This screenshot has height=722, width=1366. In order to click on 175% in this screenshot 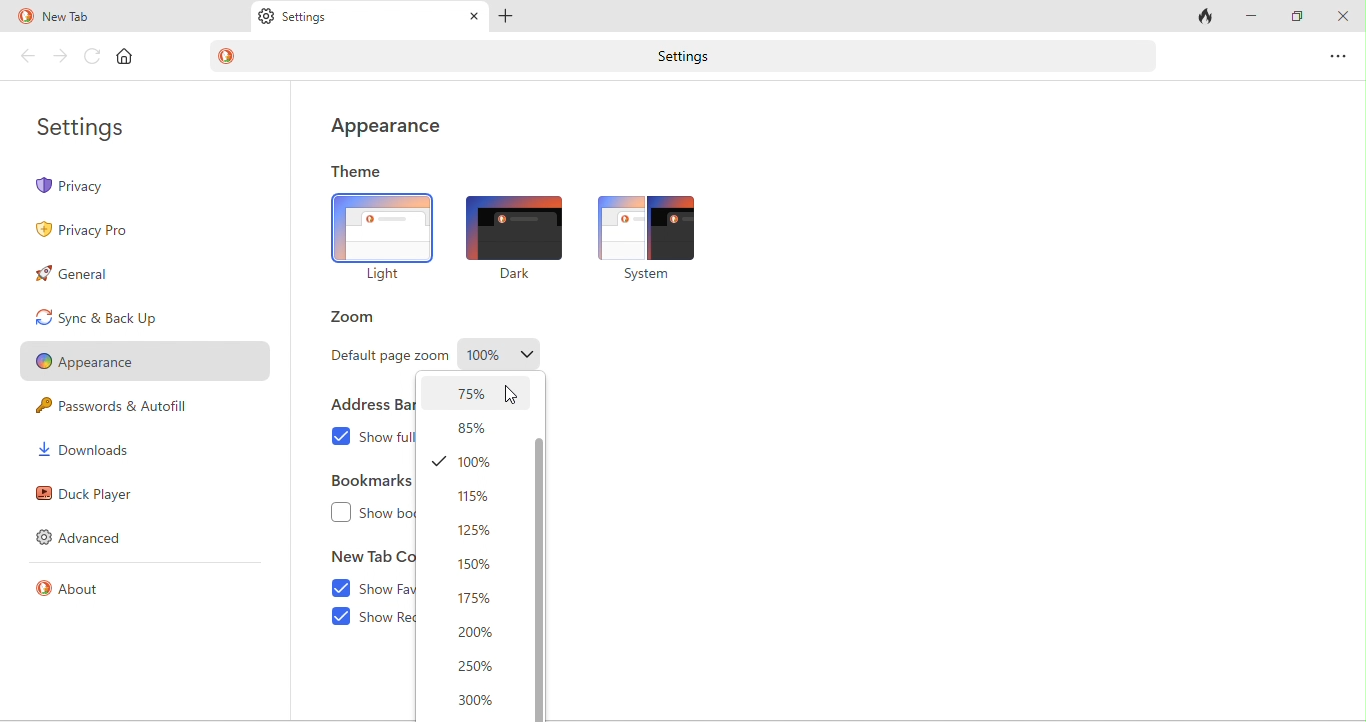, I will do `click(479, 599)`.